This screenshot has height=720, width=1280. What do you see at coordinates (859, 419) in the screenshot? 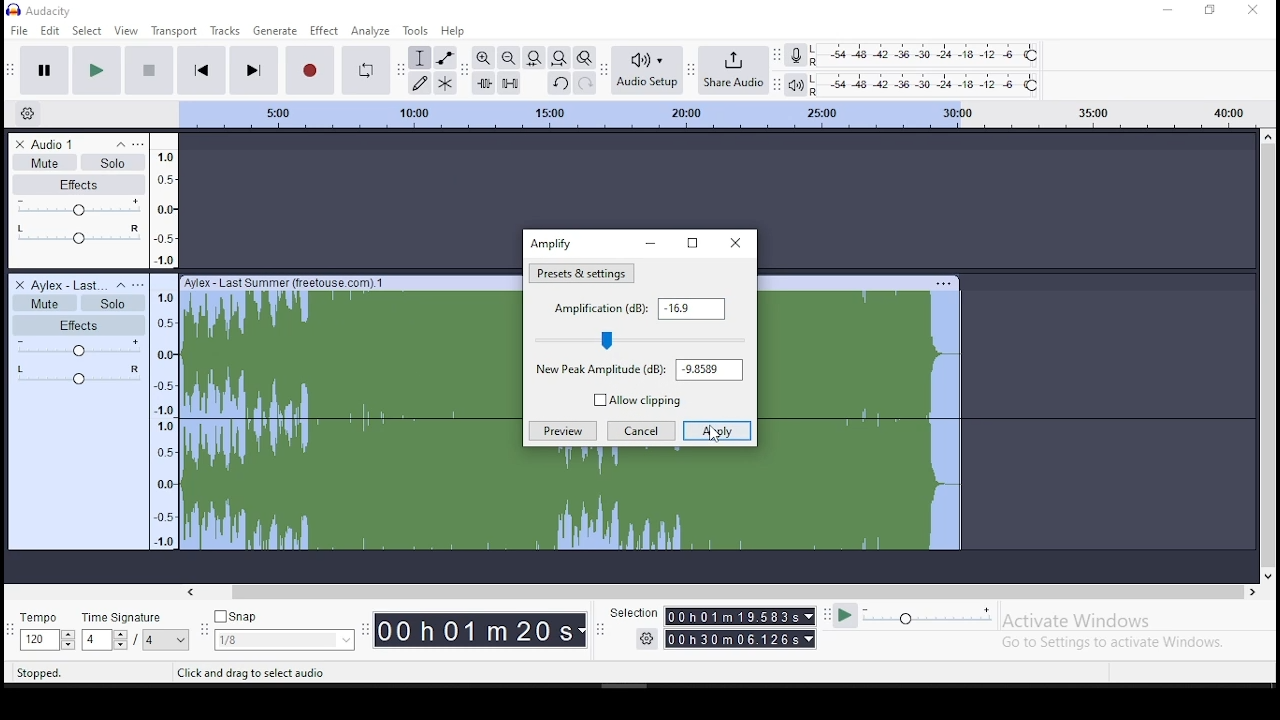
I see `track` at bounding box center [859, 419].